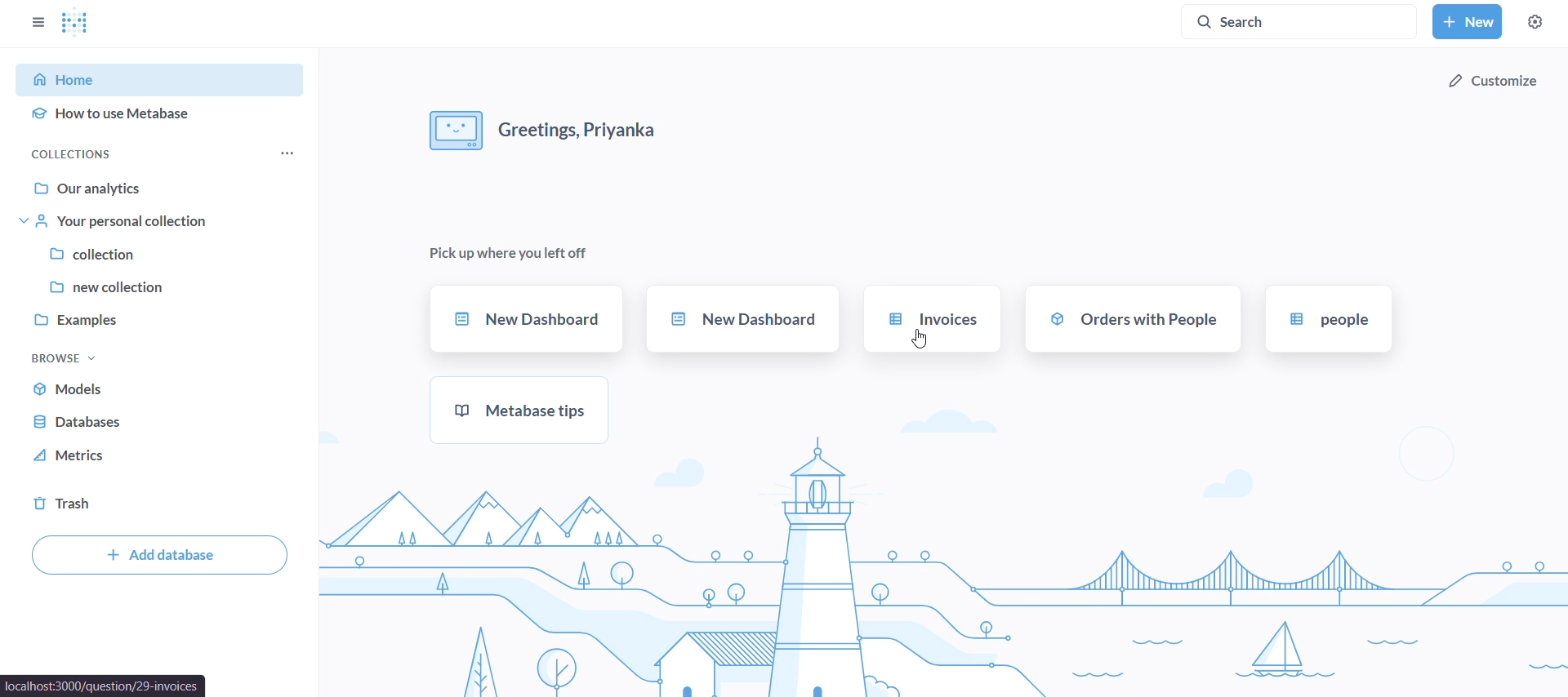  What do you see at coordinates (76, 153) in the screenshot?
I see `collections` at bounding box center [76, 153].